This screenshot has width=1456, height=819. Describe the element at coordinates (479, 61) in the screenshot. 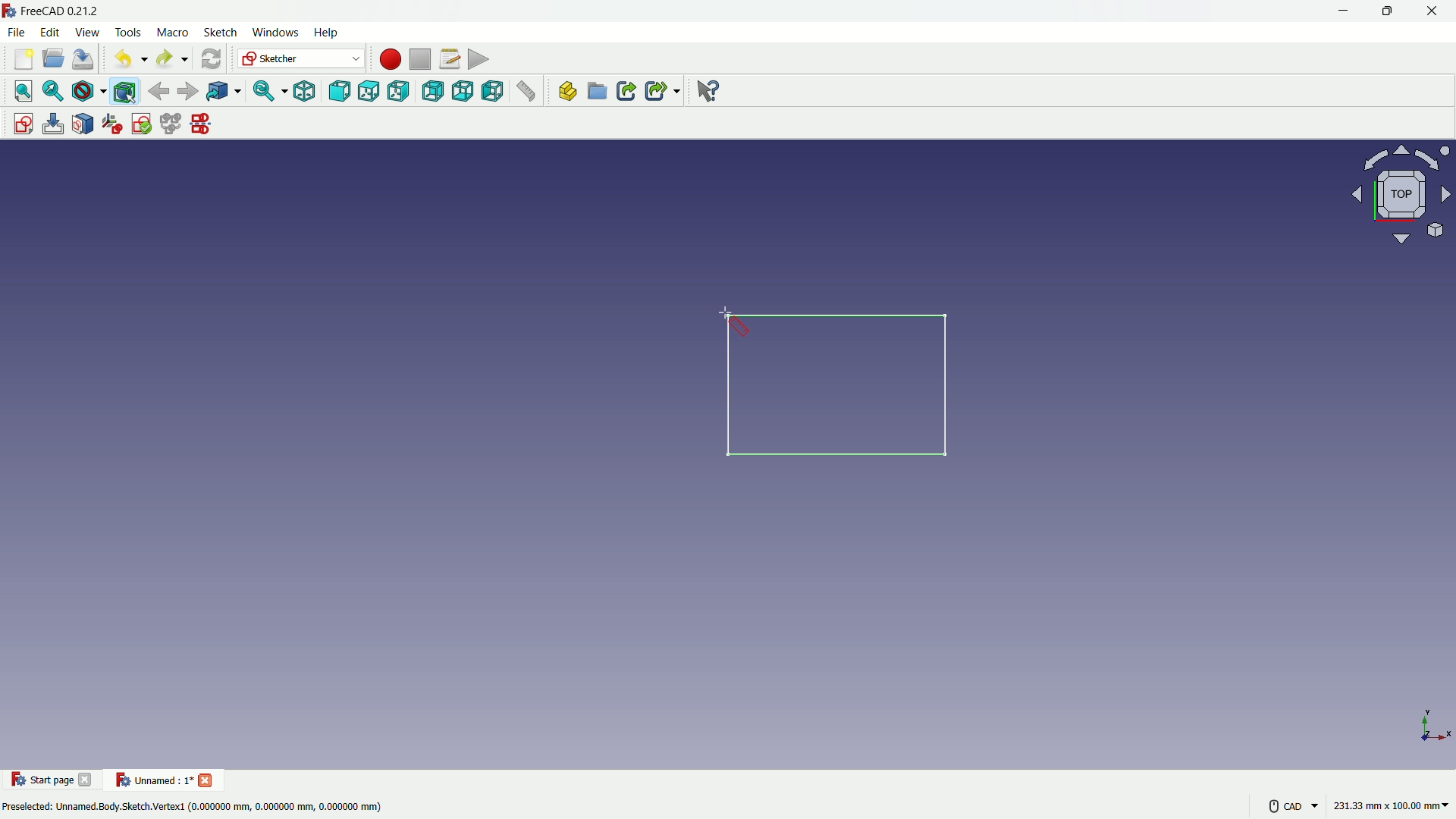

I see `execute macros` at that location.